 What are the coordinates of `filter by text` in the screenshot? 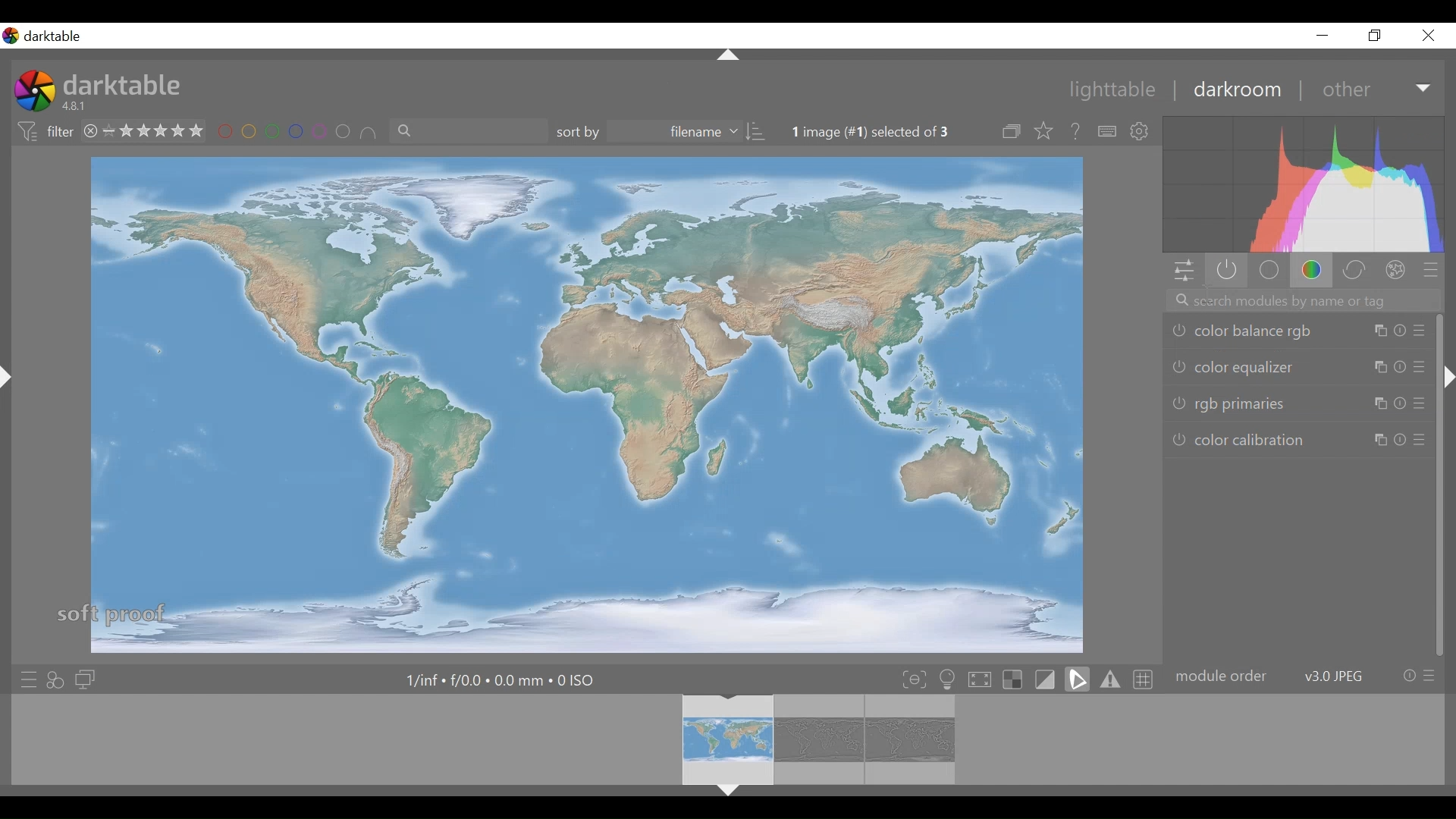 It's located at (468, 133).